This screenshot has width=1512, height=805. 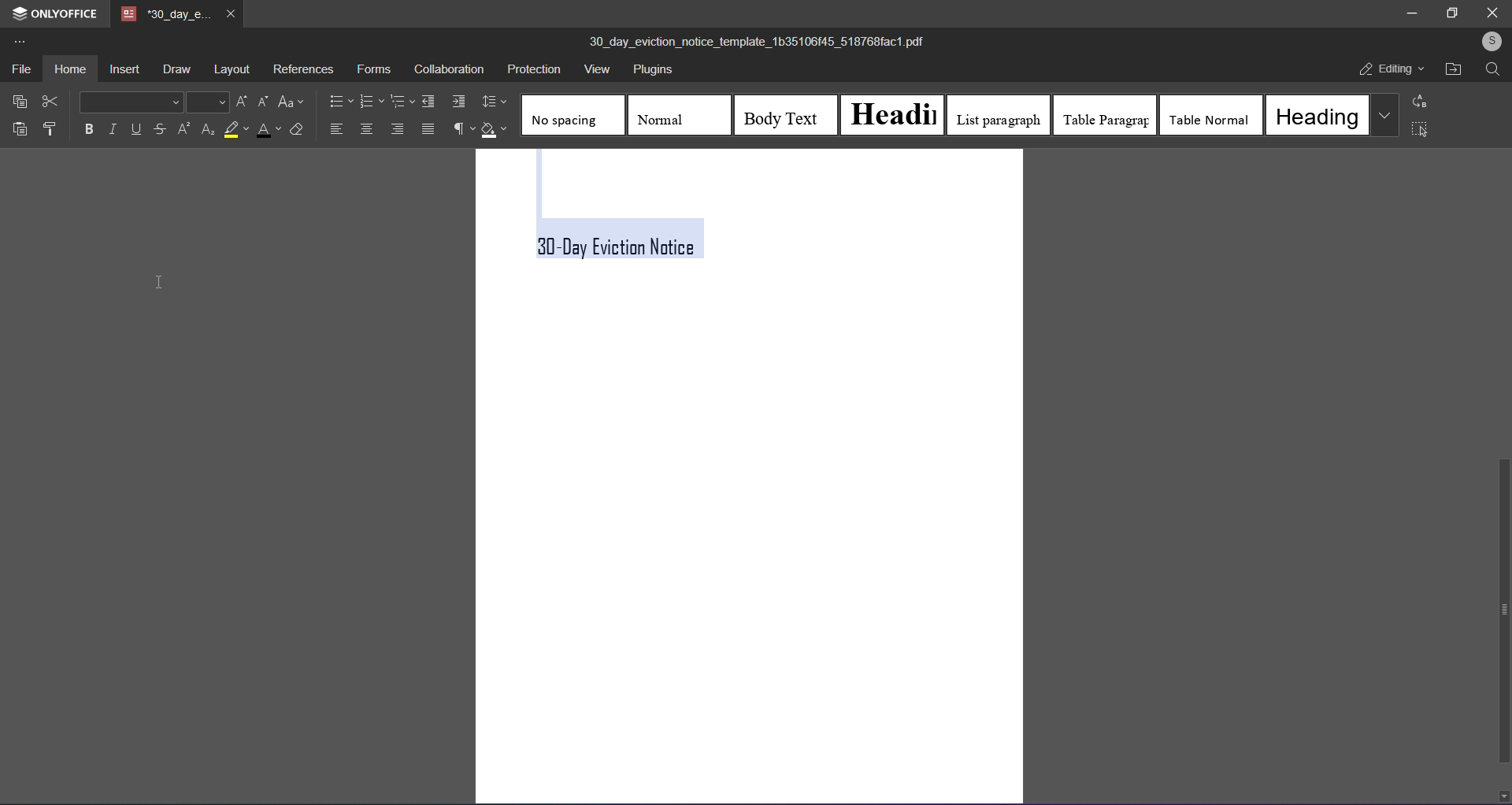 What do you see at coordinates (50, 128) in the screenshot?
I see `format` at bounding box center [50, 128].